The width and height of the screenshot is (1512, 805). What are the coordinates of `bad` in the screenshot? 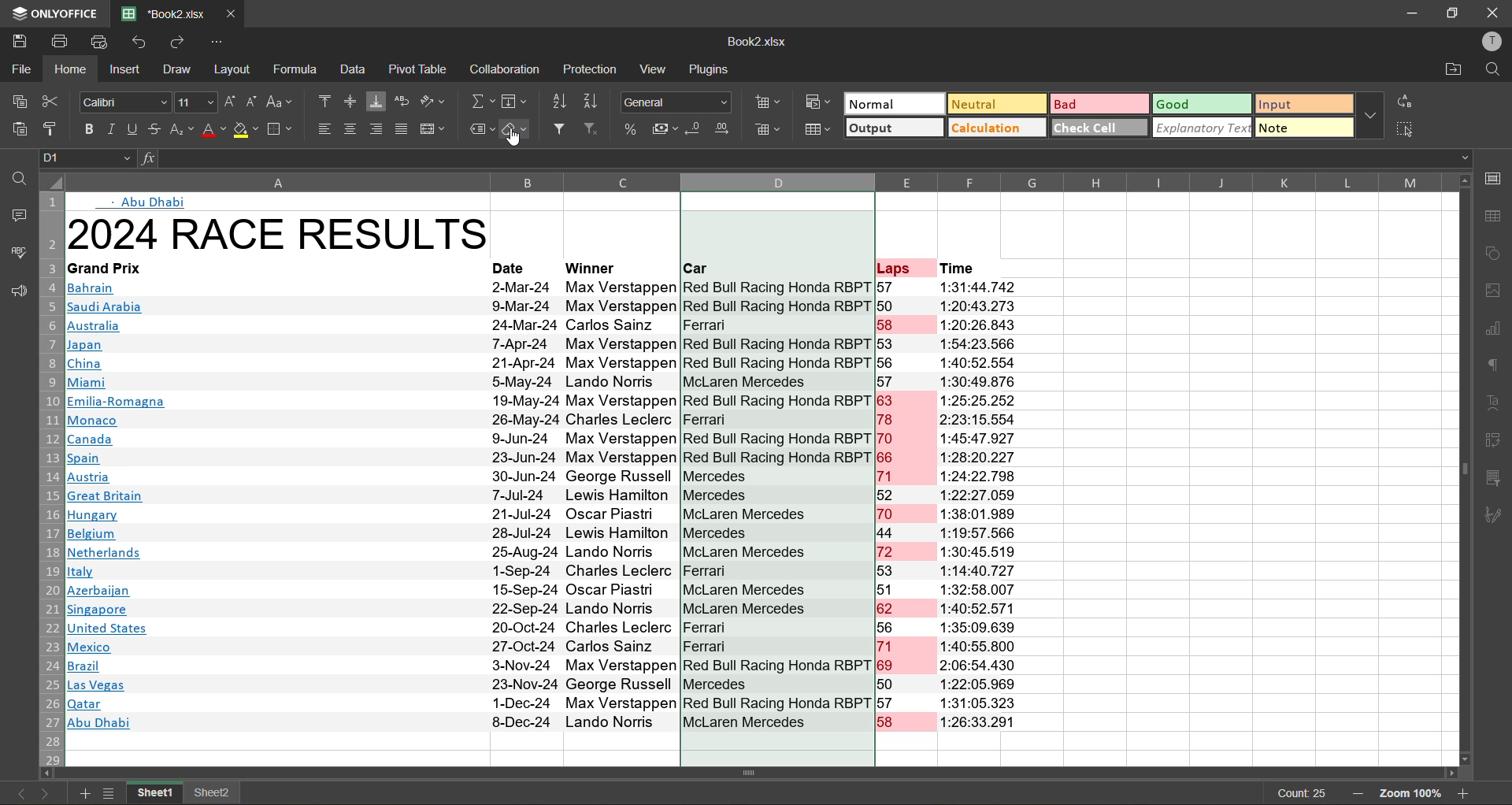 It's located at (1098, 105).